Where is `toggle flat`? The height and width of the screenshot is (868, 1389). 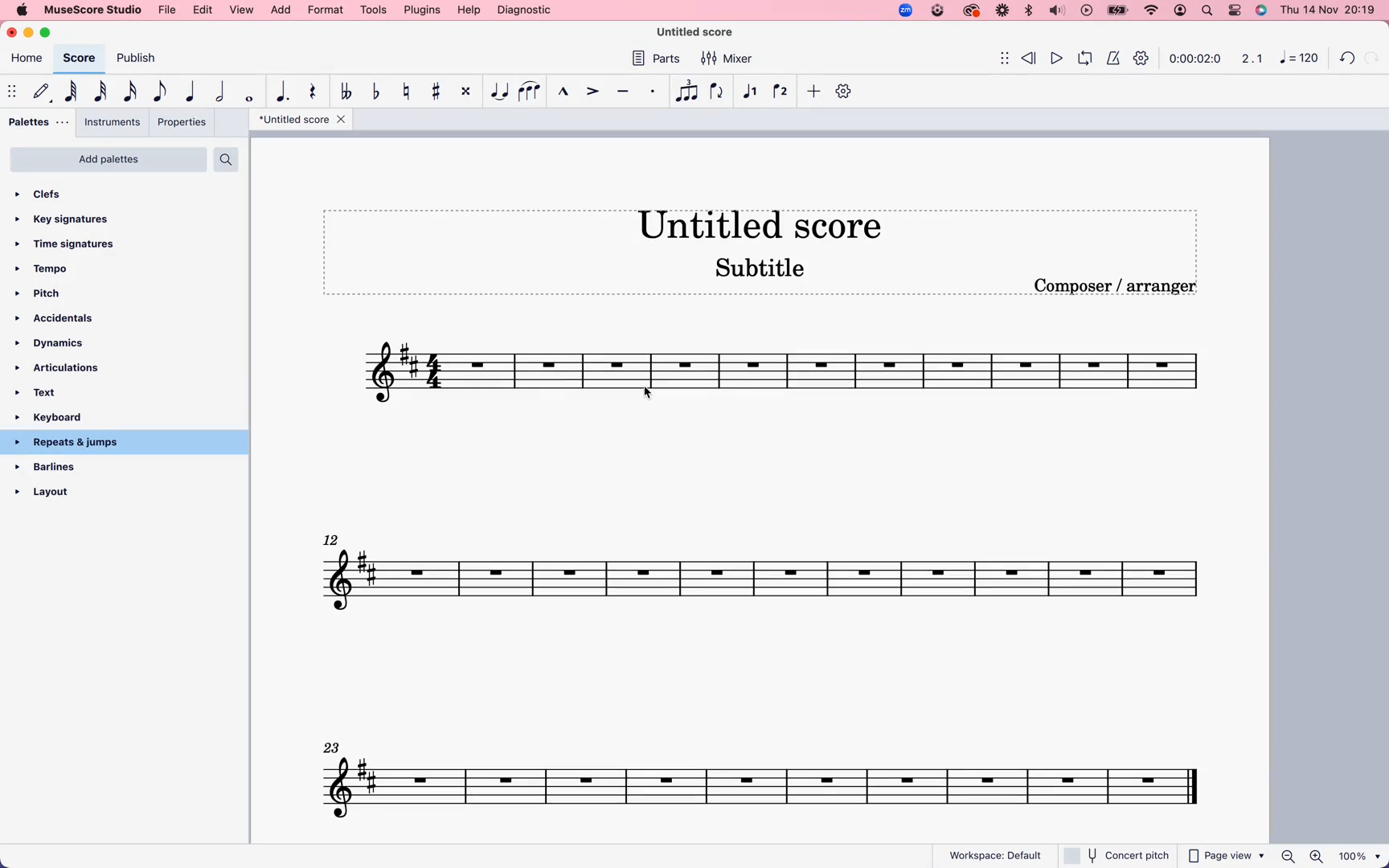
toggle flat is located at coordinates (379, 92).